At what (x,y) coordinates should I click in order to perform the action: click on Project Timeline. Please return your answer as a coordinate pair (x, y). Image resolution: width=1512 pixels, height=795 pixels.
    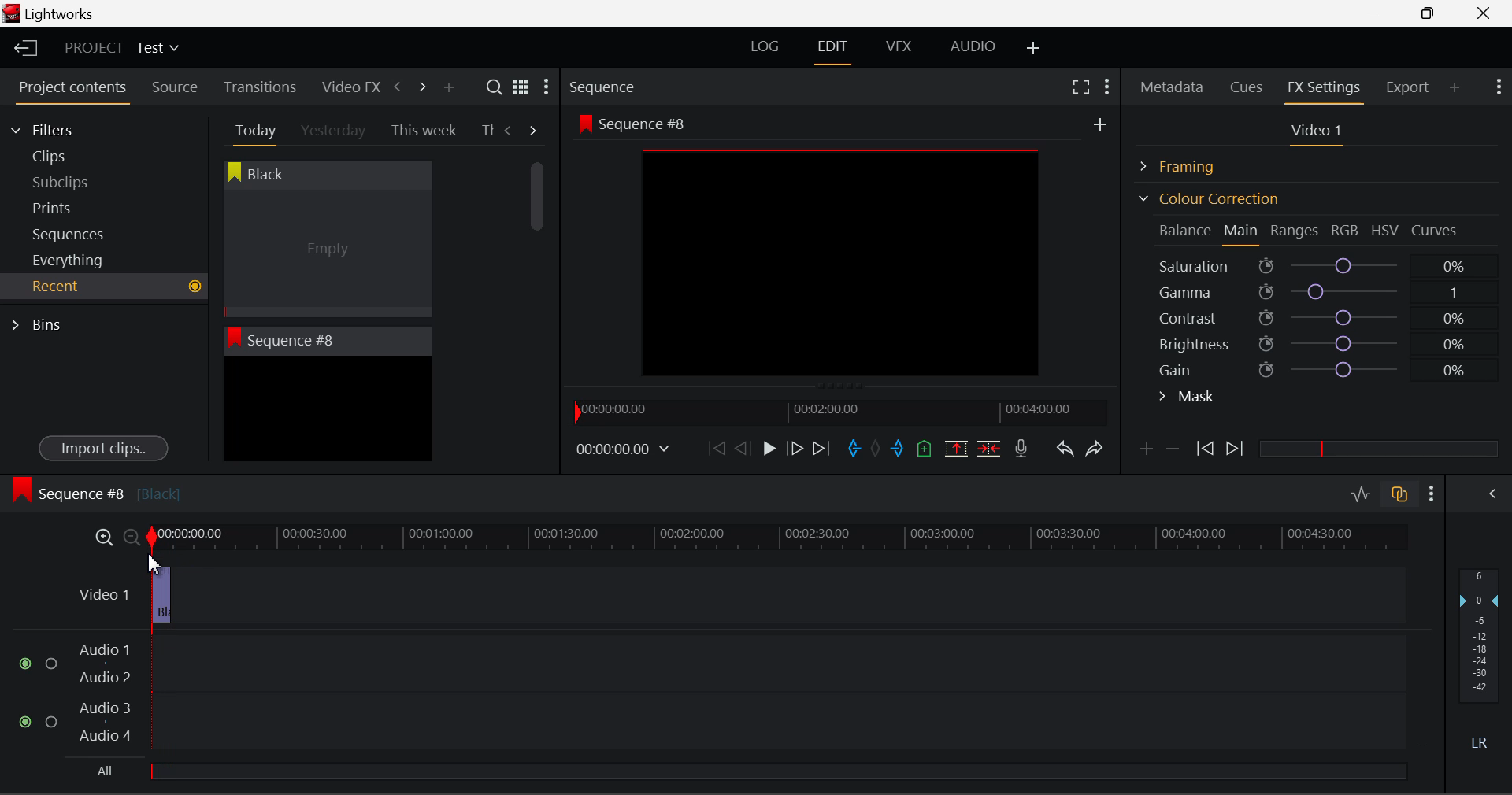
    Looking at the image, I should click on (780, 538).